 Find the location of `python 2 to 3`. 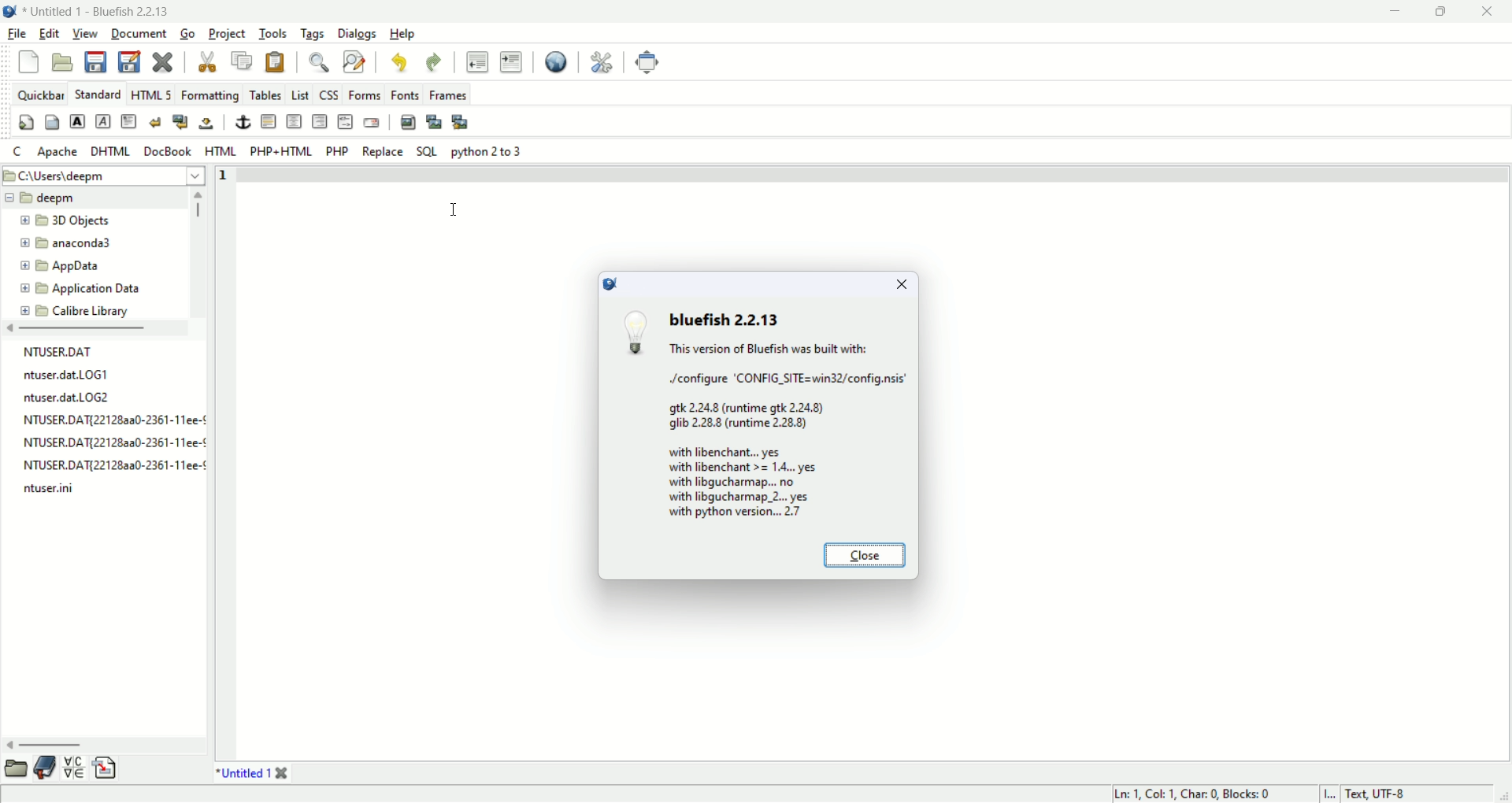

python 2 to 3 is located at coordinates (487, 153).